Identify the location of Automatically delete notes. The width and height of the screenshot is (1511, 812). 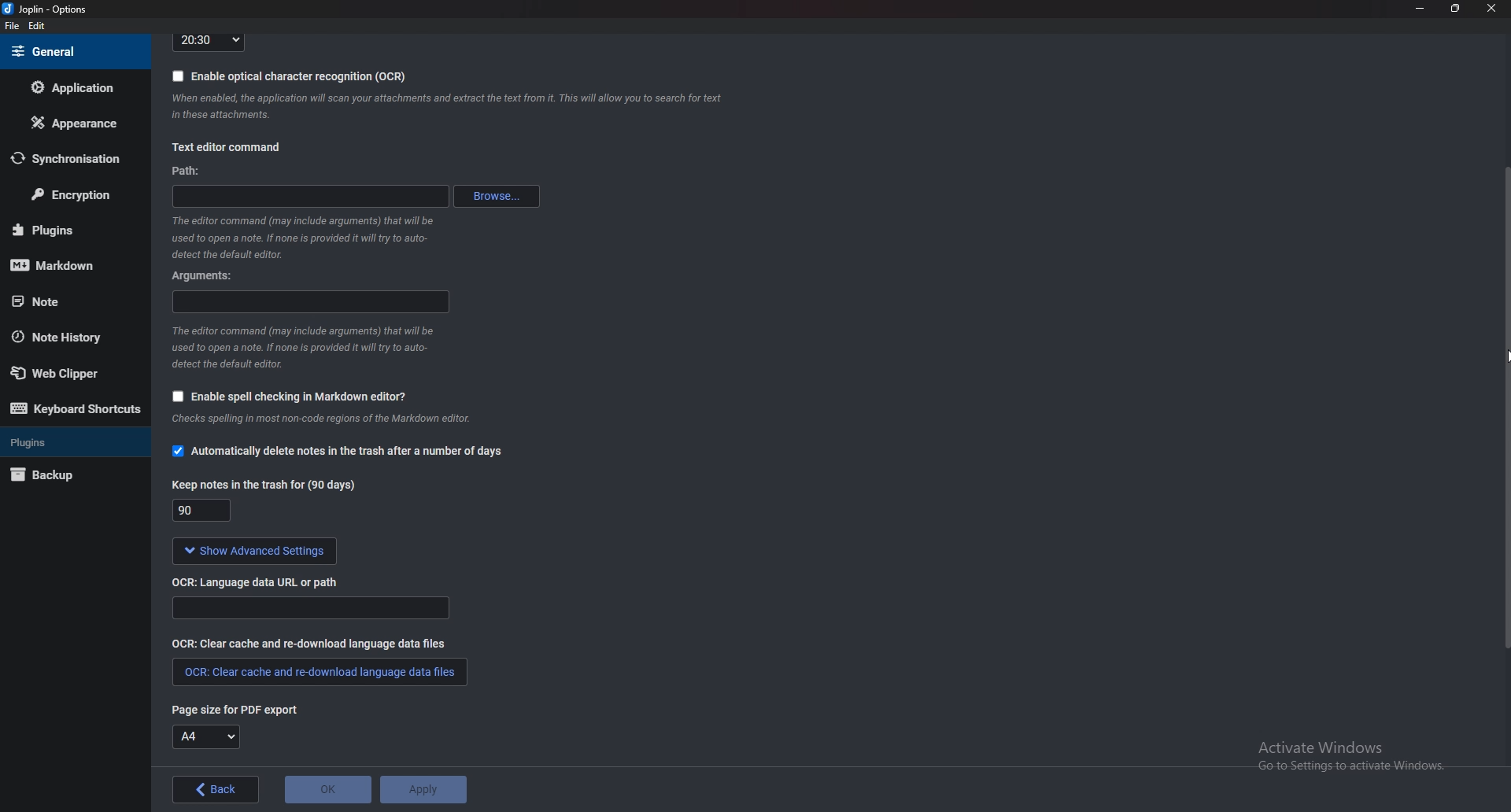
(337, 453).